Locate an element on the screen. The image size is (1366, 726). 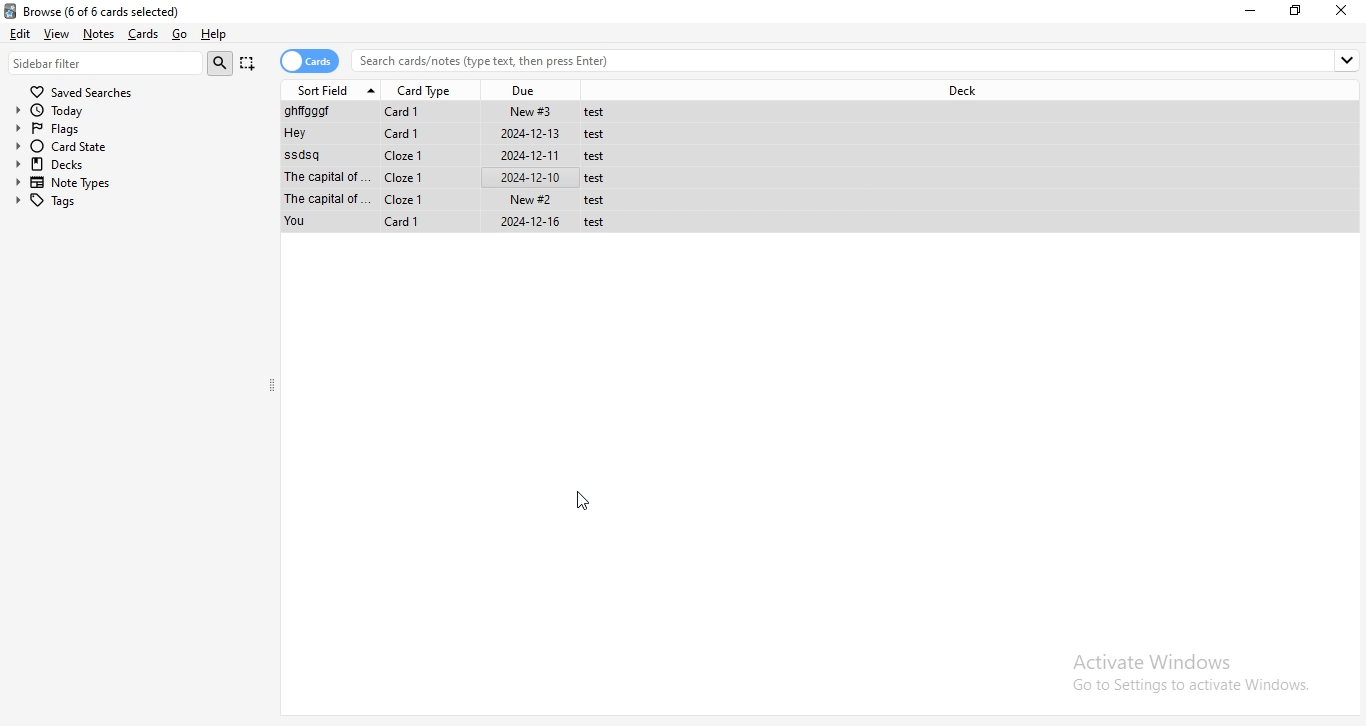
deck is located at coordinates (962, 91).